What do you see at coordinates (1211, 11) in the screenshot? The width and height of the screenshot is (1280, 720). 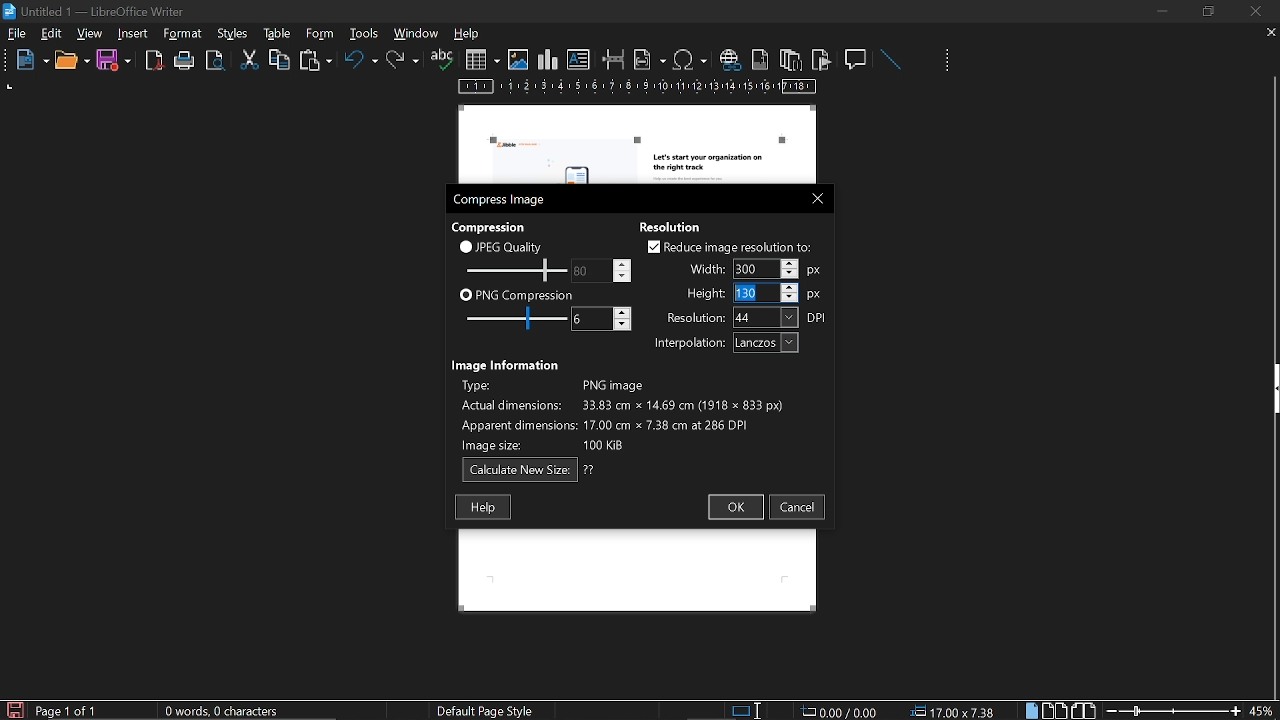 I see `restore down` at bounding box center [1211, 11].